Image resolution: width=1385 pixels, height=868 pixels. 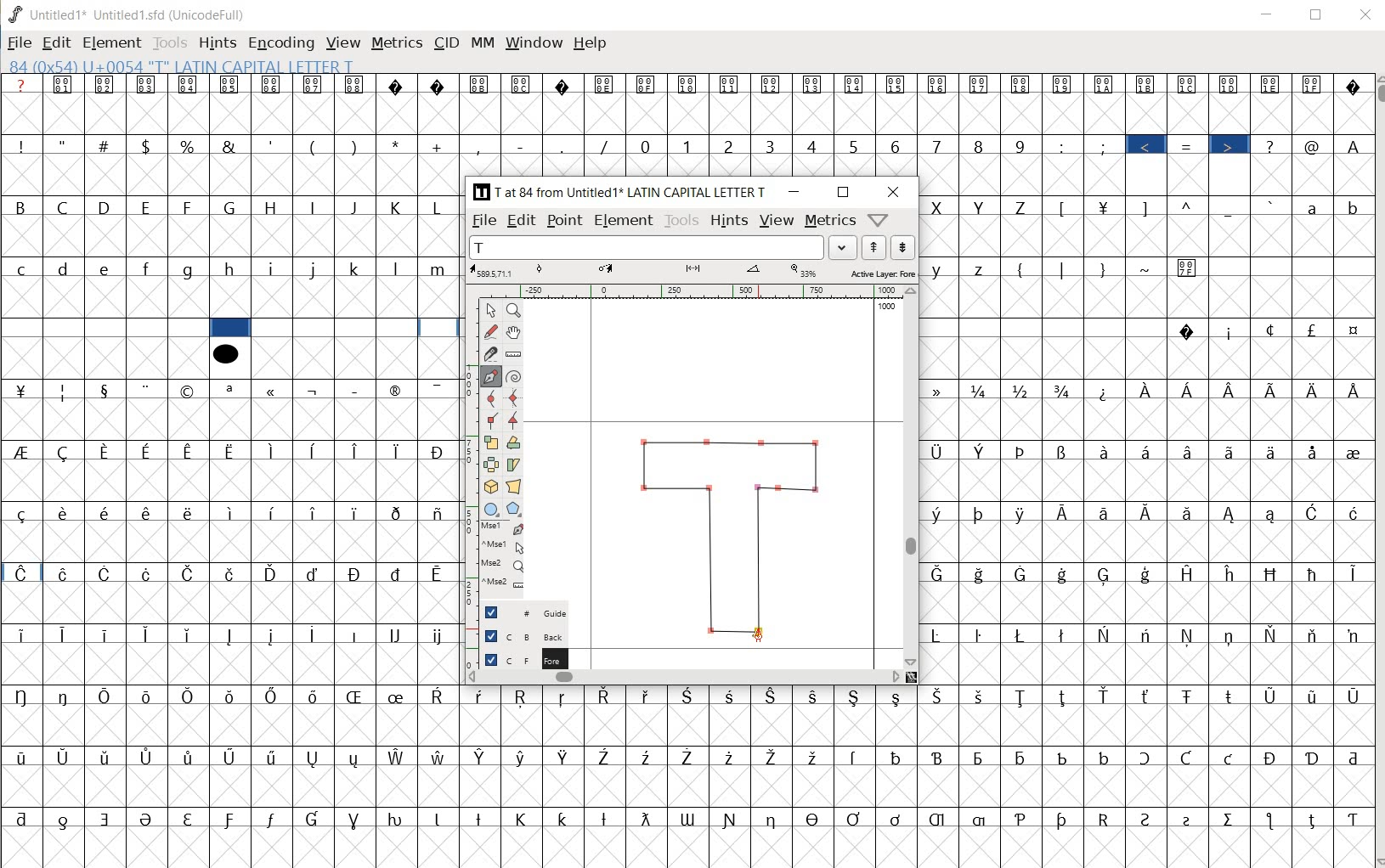 I want to click on Symbol, so click(x=647, y=819).